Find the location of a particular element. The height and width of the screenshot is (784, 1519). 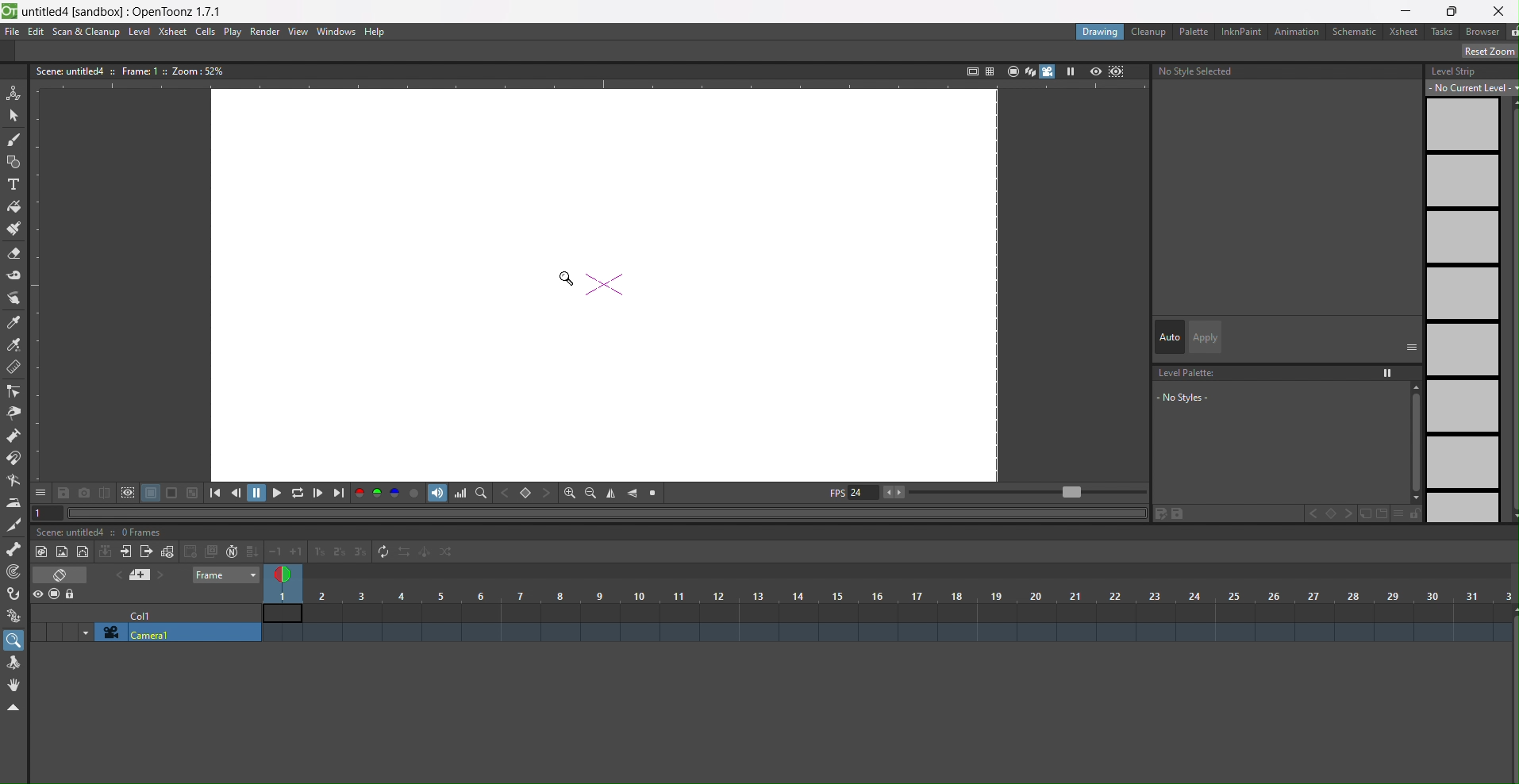

file name is located at coordinates (124, 10).